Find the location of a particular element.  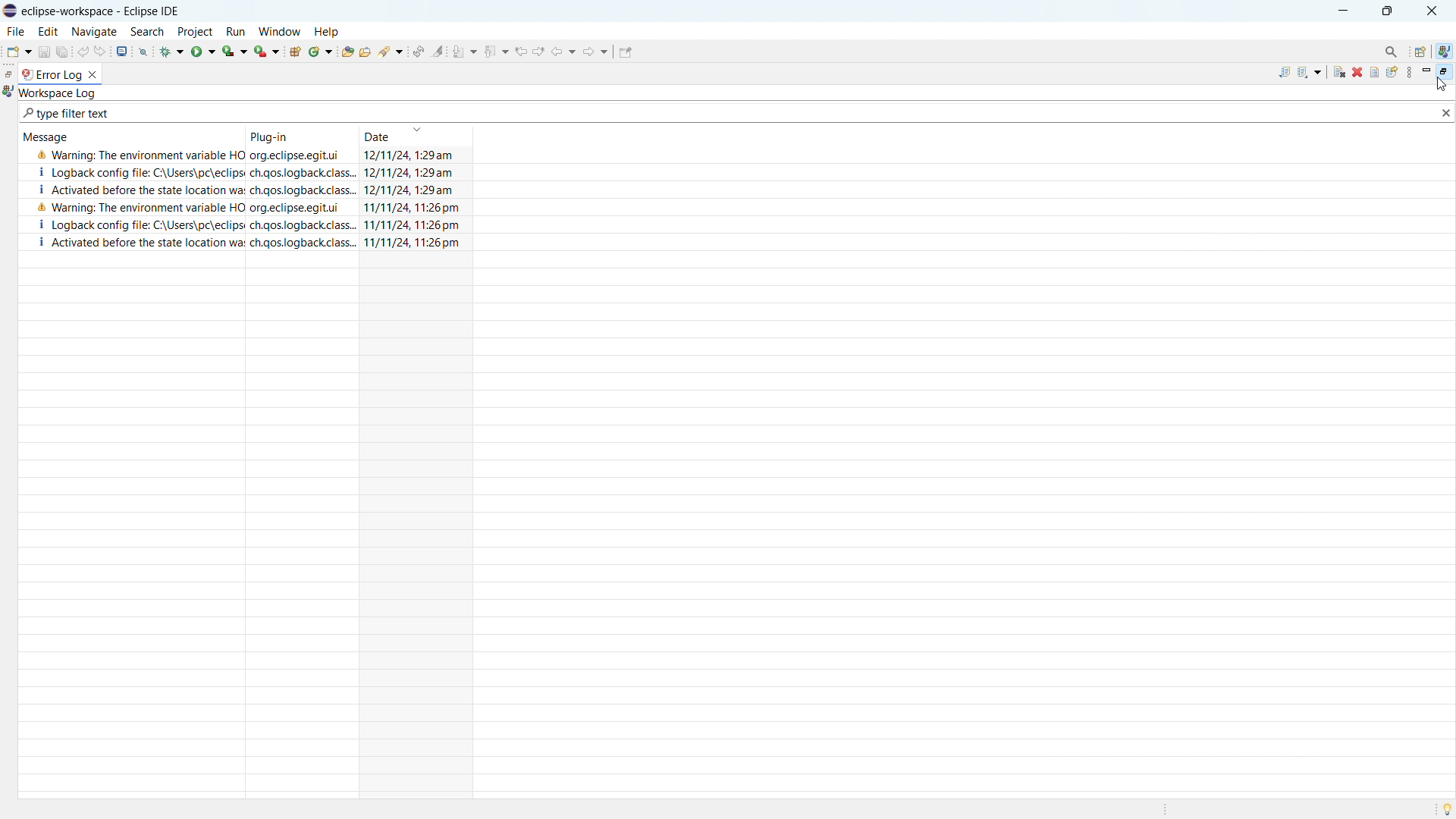

toggle ant mark occurances is located at coordinates (438, 50).